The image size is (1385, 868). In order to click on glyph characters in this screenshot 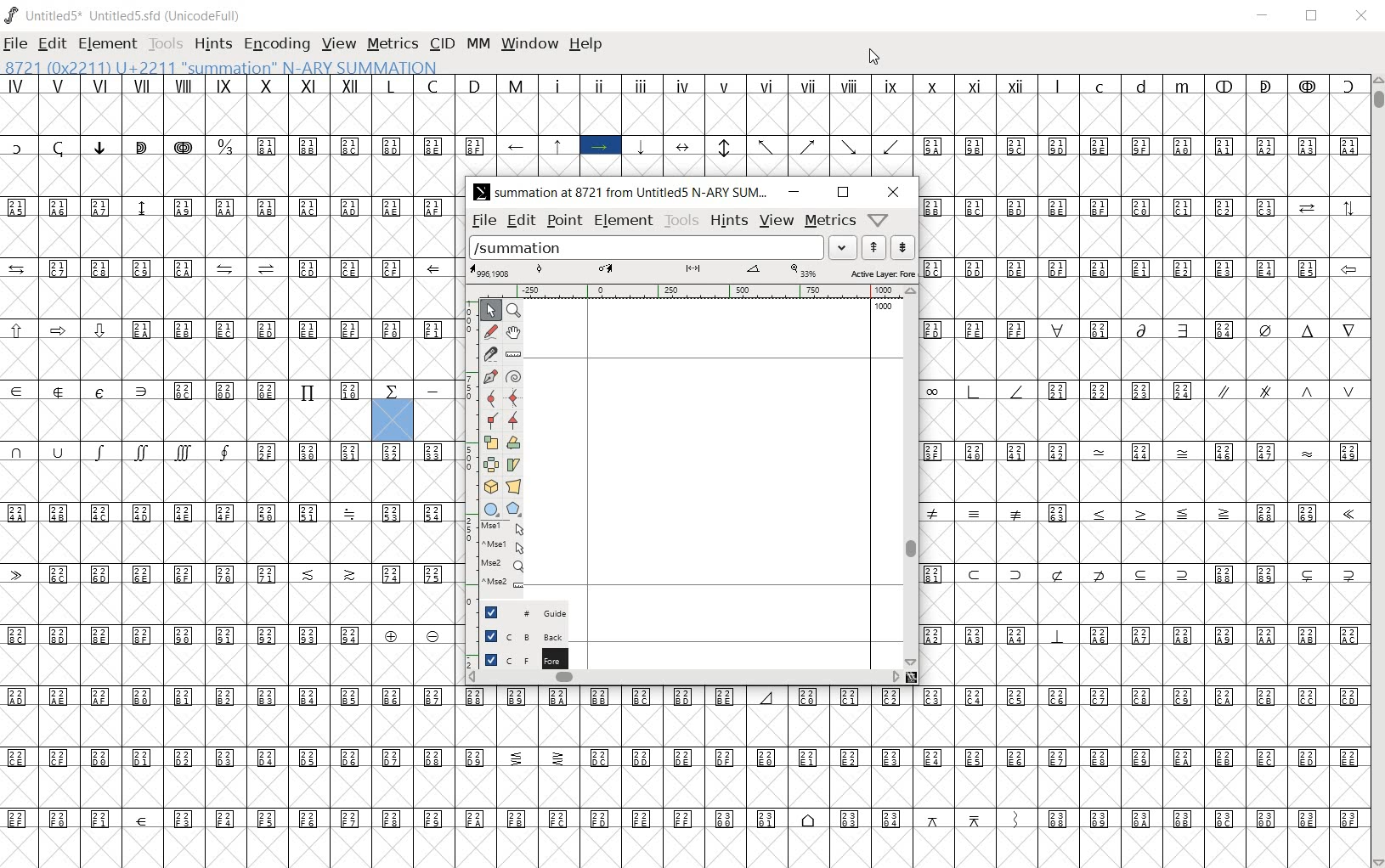, I will do `click(1145, 441)`.